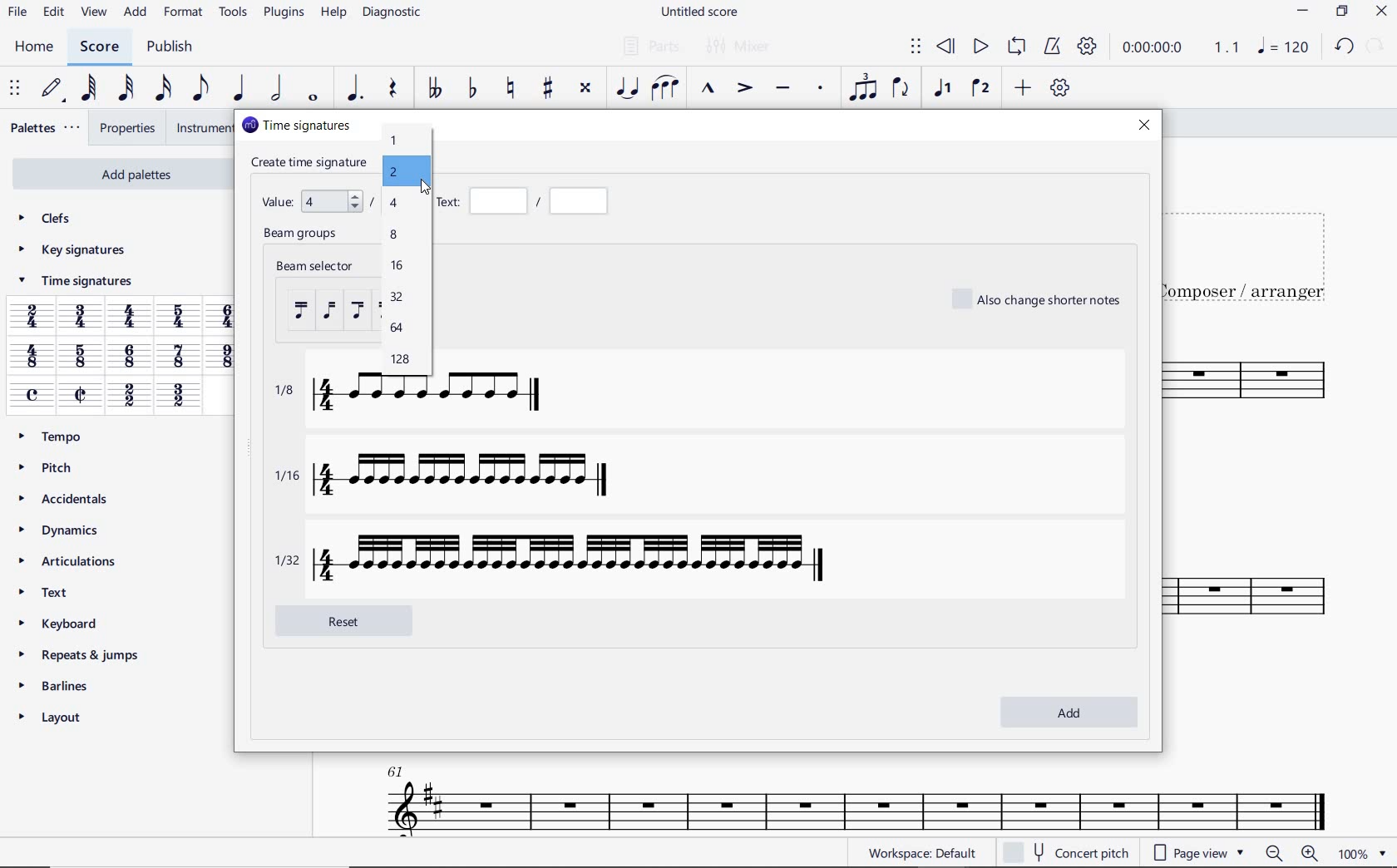 Image resolution: width=1397 pixels, height=868 pixels. Describe the element at coordinates (120, 175) in the screenshot. I see `ADD PALETTES` at that location.